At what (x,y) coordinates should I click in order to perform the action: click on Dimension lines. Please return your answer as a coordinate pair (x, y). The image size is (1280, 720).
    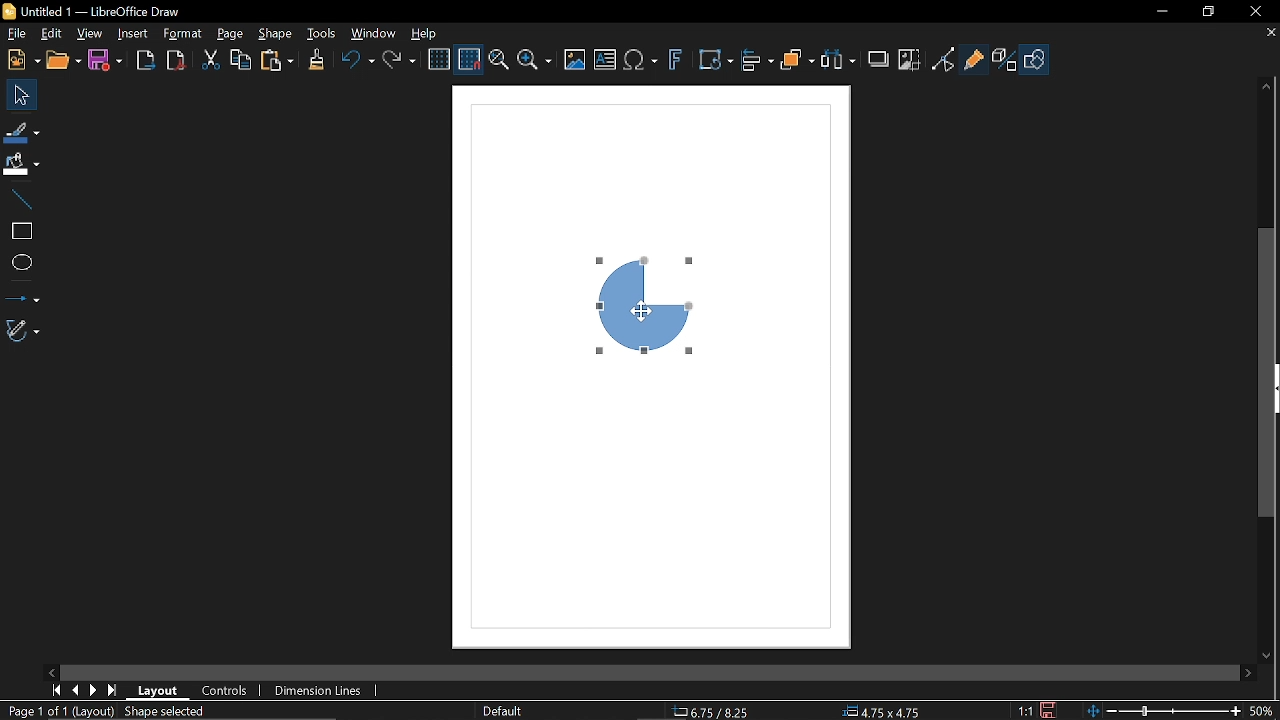
    Looking at the image, I should click on (320, 688).